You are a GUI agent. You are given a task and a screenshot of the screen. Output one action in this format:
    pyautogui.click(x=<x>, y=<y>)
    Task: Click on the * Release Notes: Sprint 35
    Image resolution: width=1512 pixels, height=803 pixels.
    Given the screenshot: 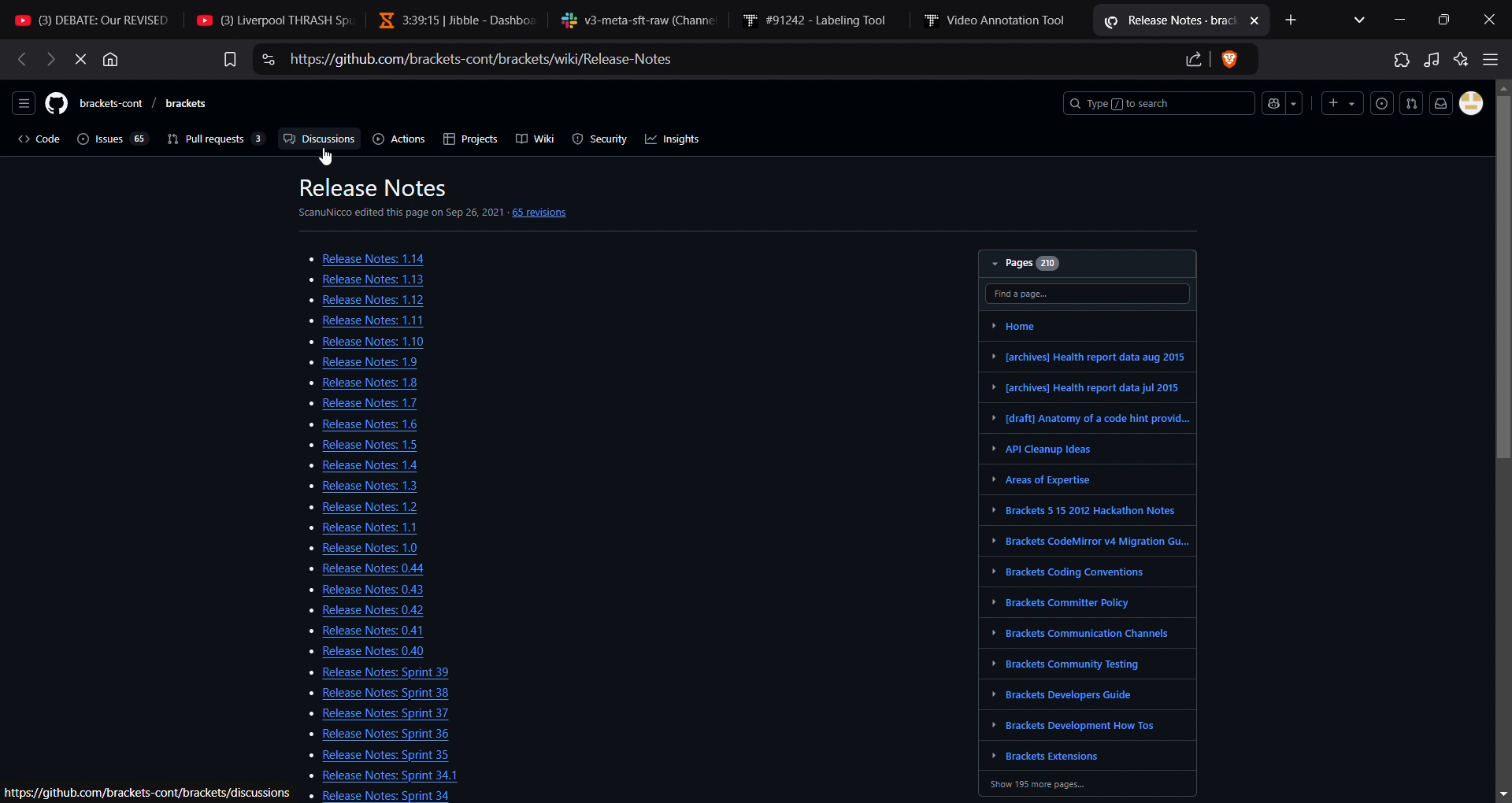 What is the action you would take?
    pyautogui.click(x=376, y=753)
    